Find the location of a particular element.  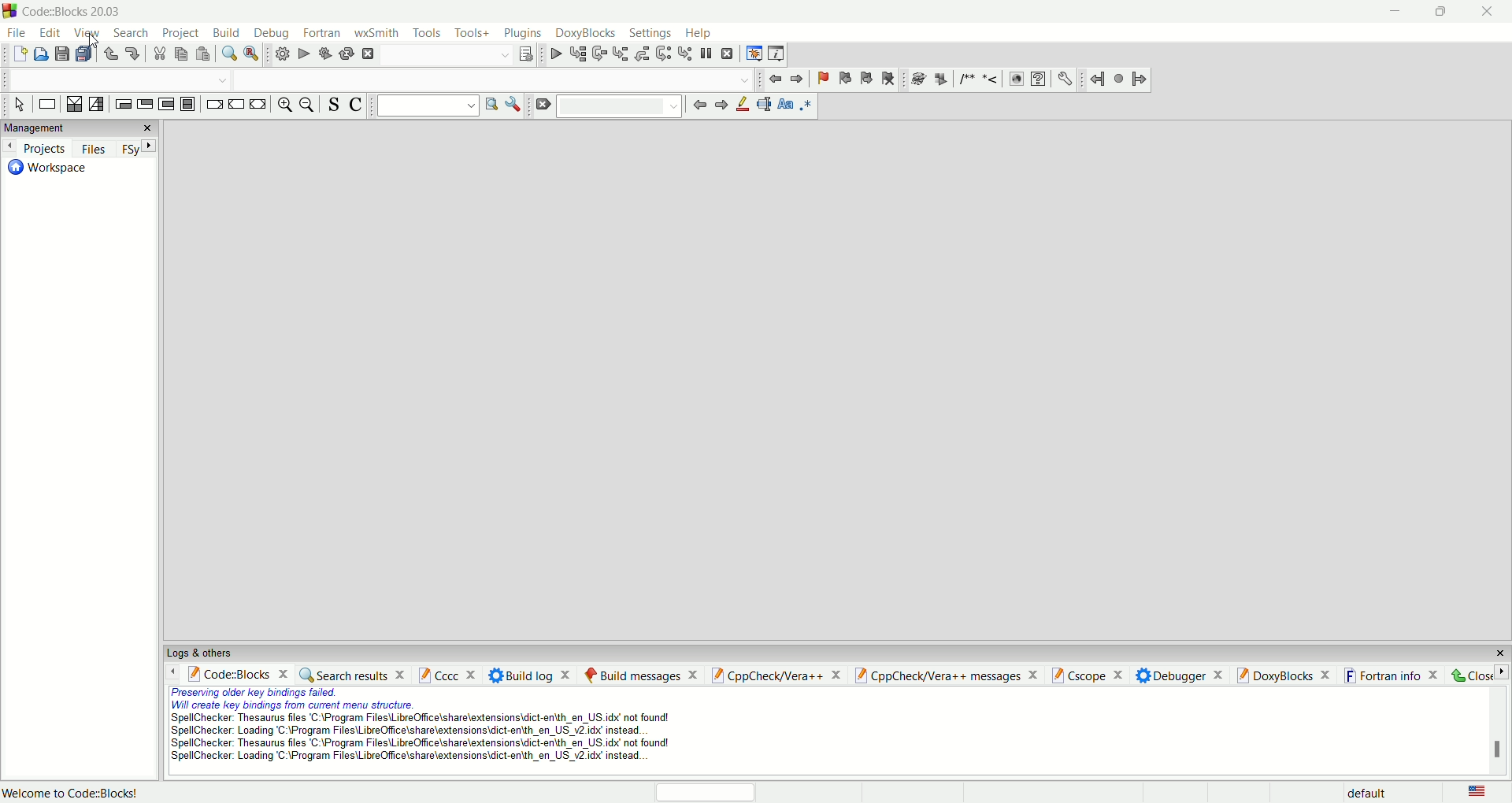

cut is located at coordinates (157, 54).